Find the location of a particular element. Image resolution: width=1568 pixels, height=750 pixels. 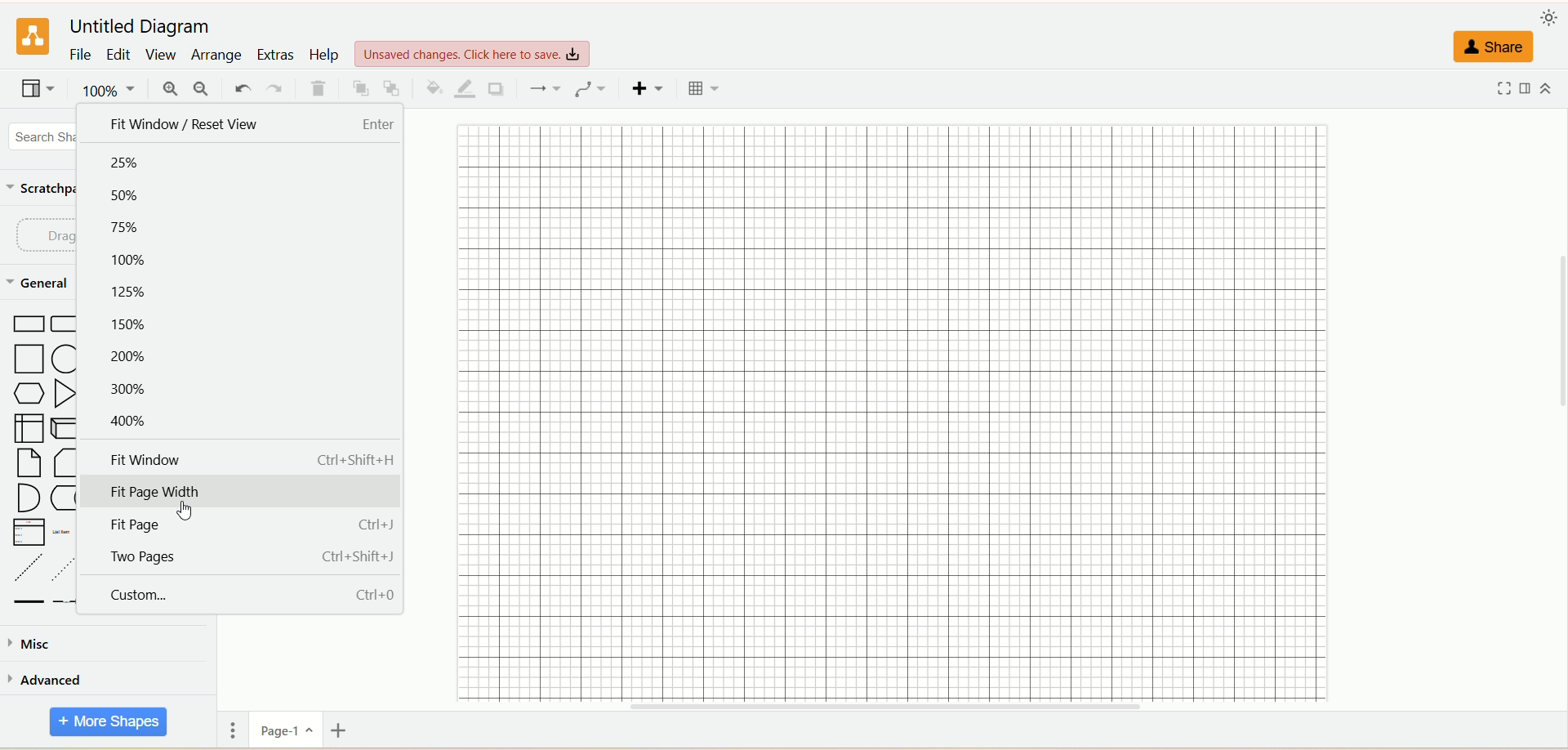

view is located at coordinates (161, 54).